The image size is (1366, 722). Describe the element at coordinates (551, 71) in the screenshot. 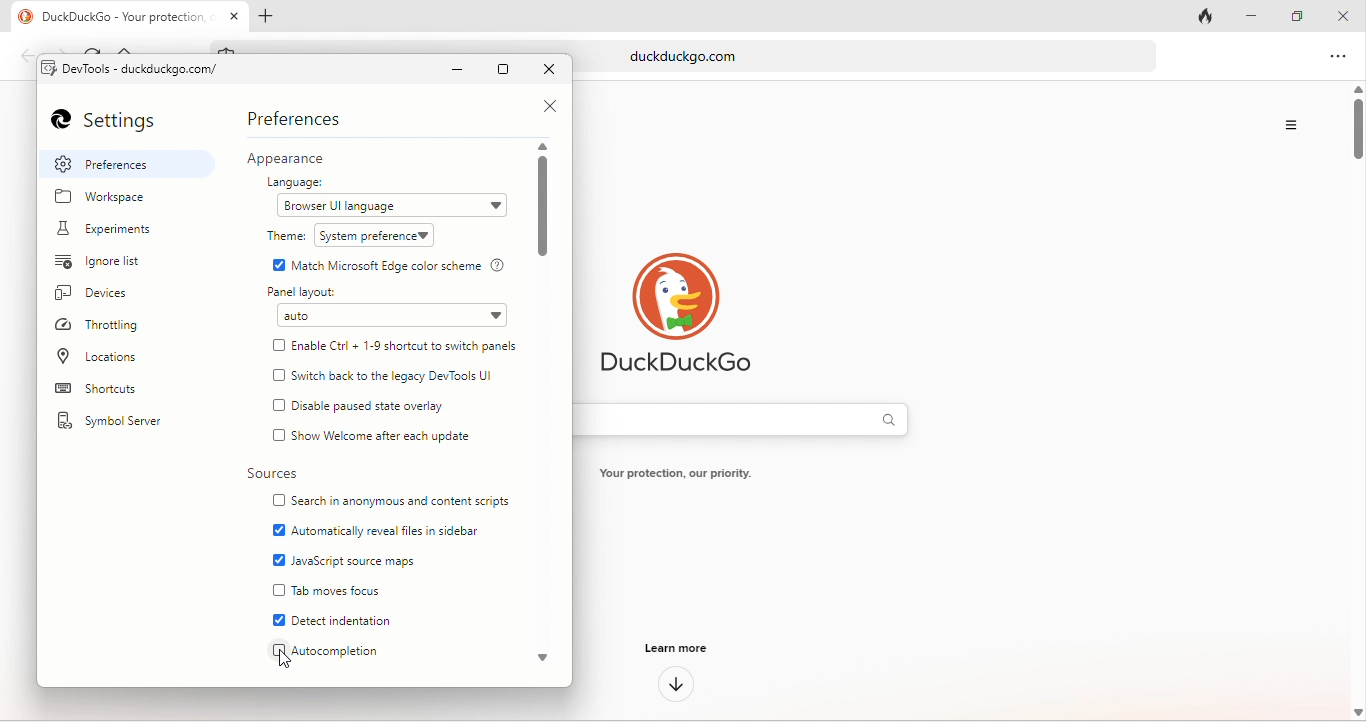

I see `close` at that location.